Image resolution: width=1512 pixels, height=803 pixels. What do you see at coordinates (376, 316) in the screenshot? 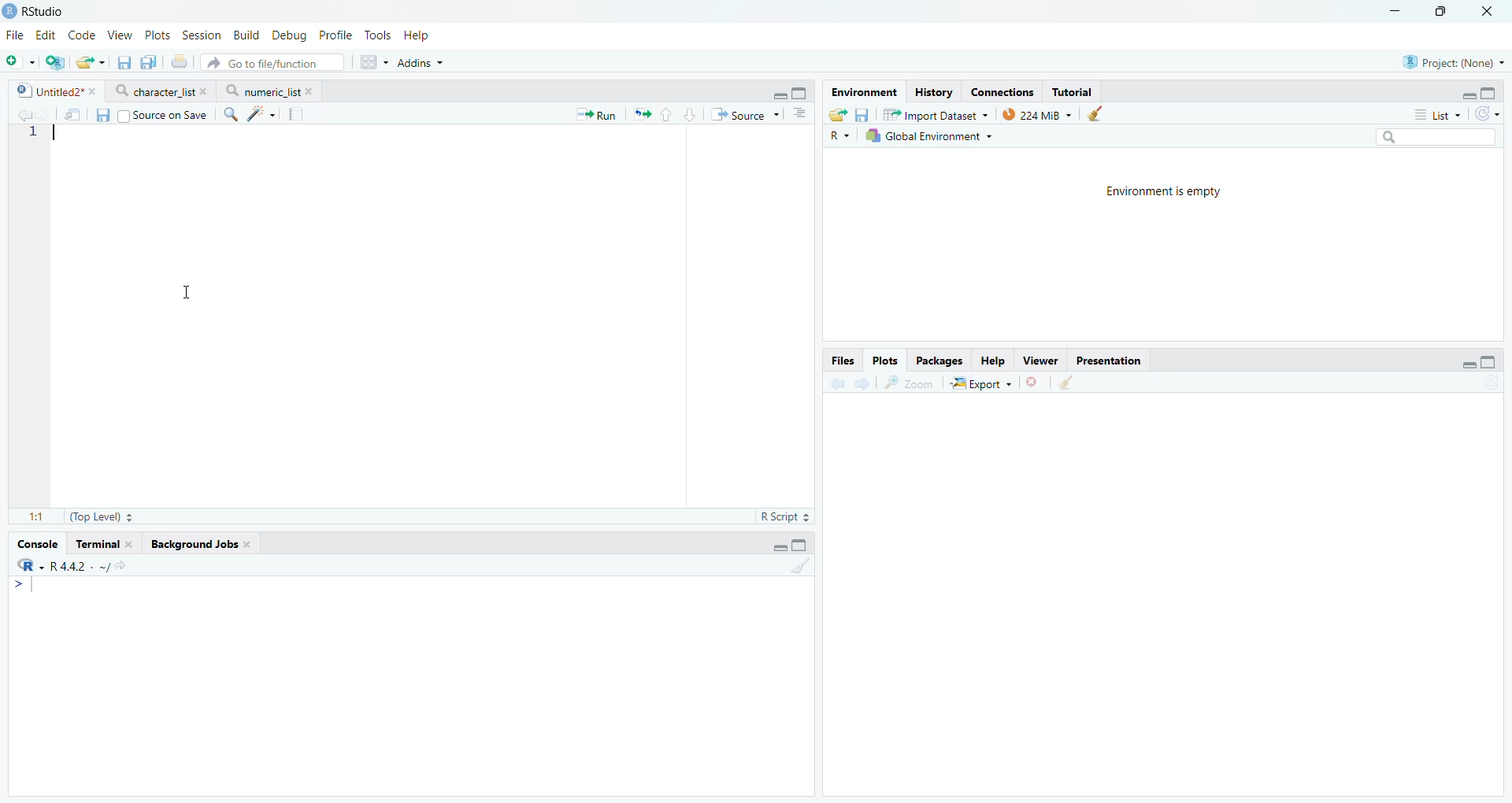
I see `Code editor` at bounding box center [376, 316].